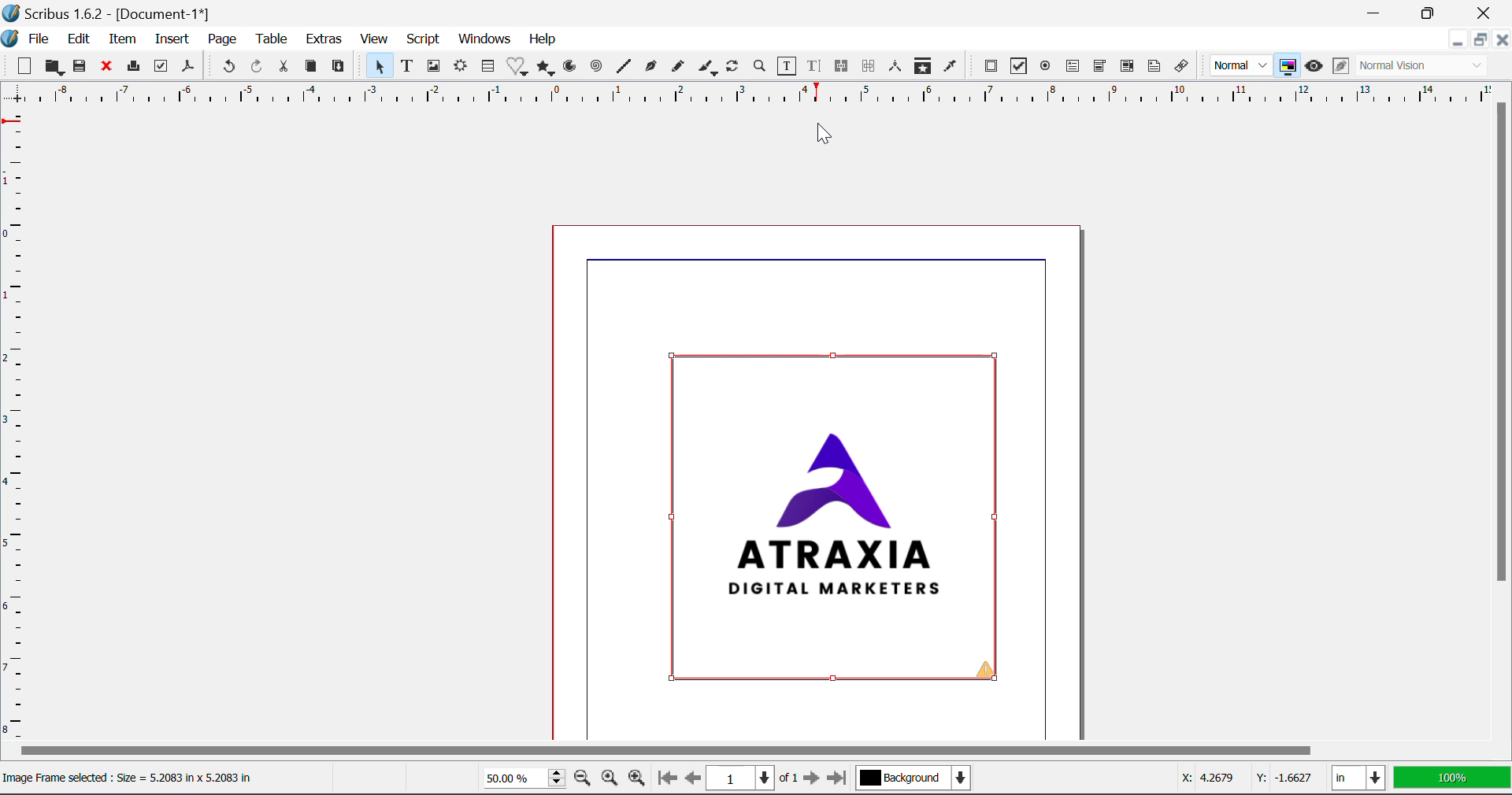 This screenshot has width=1512, height=795. Describe the element at coordinates (623, 68) in the screenshot. I see `Line` at that location.